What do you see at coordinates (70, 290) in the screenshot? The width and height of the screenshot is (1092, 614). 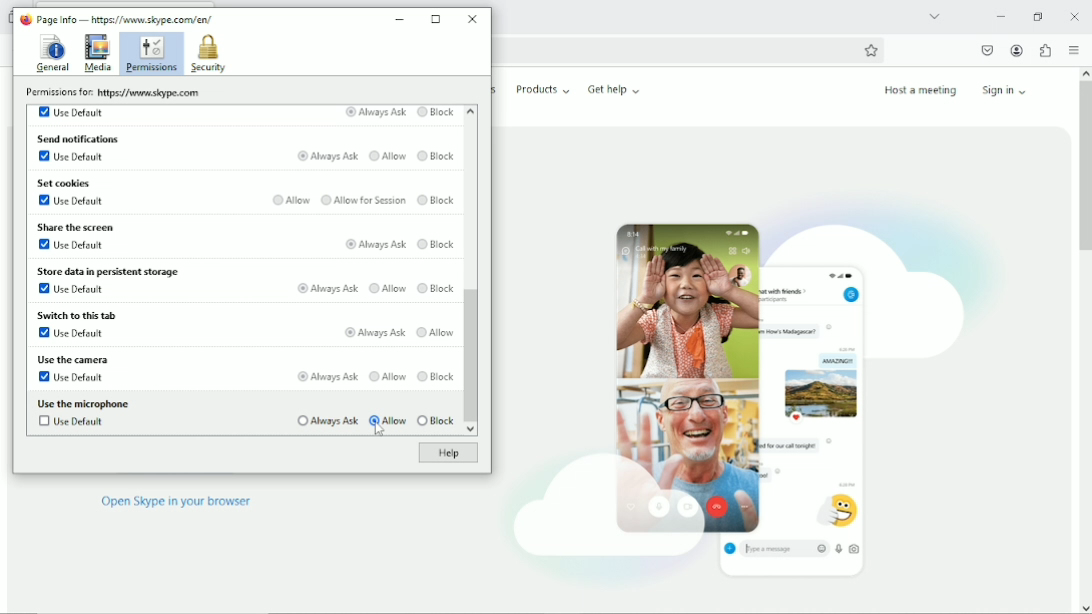 I see `Use default` at bounding box center [70, 290].